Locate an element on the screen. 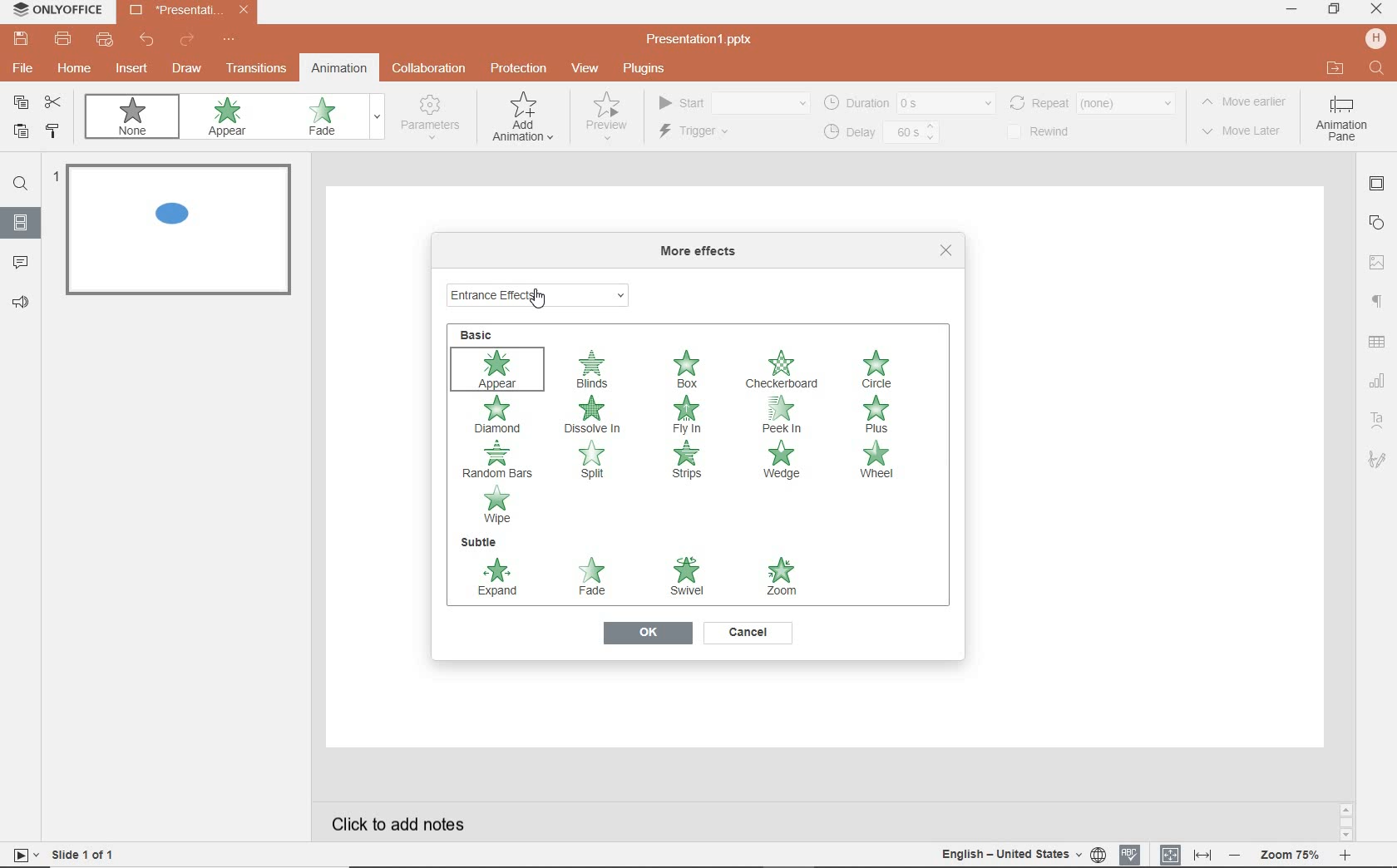  OK is located at coordinates (646, 634).